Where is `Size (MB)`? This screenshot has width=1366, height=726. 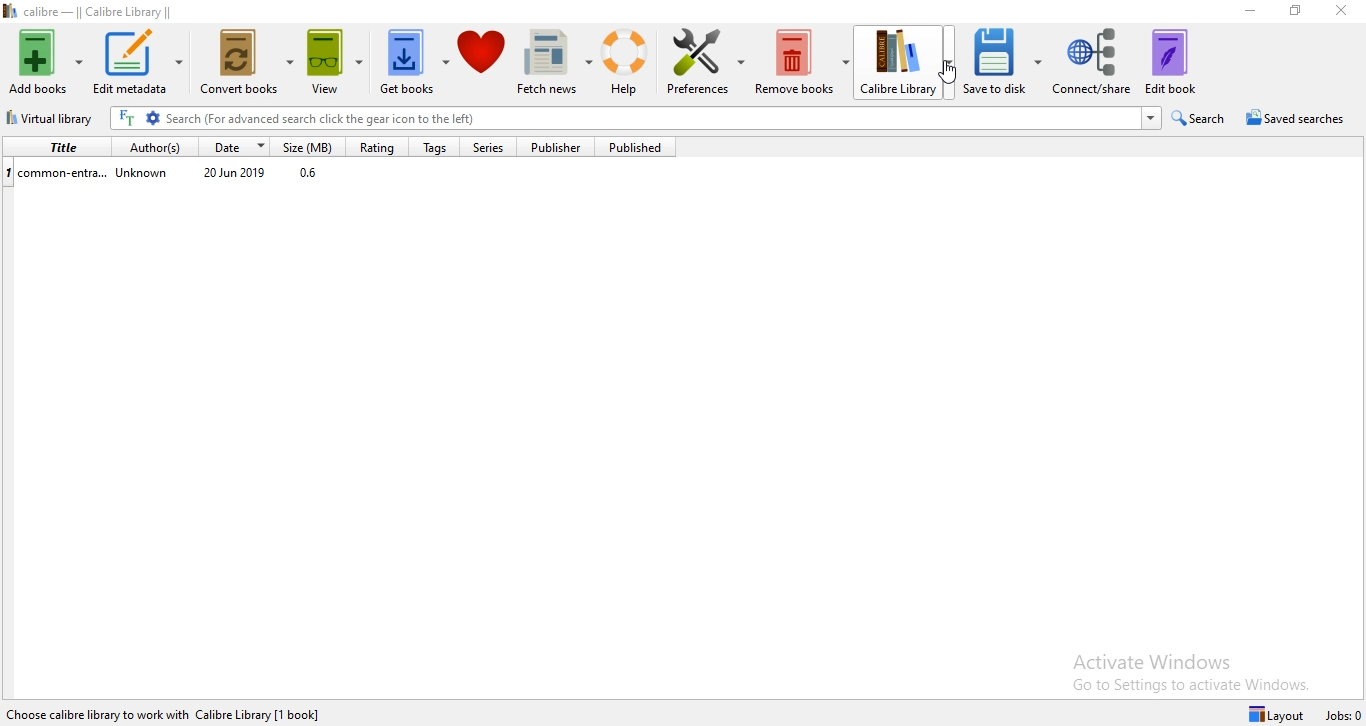
Size (MB) is located at coordinates (312, 146).